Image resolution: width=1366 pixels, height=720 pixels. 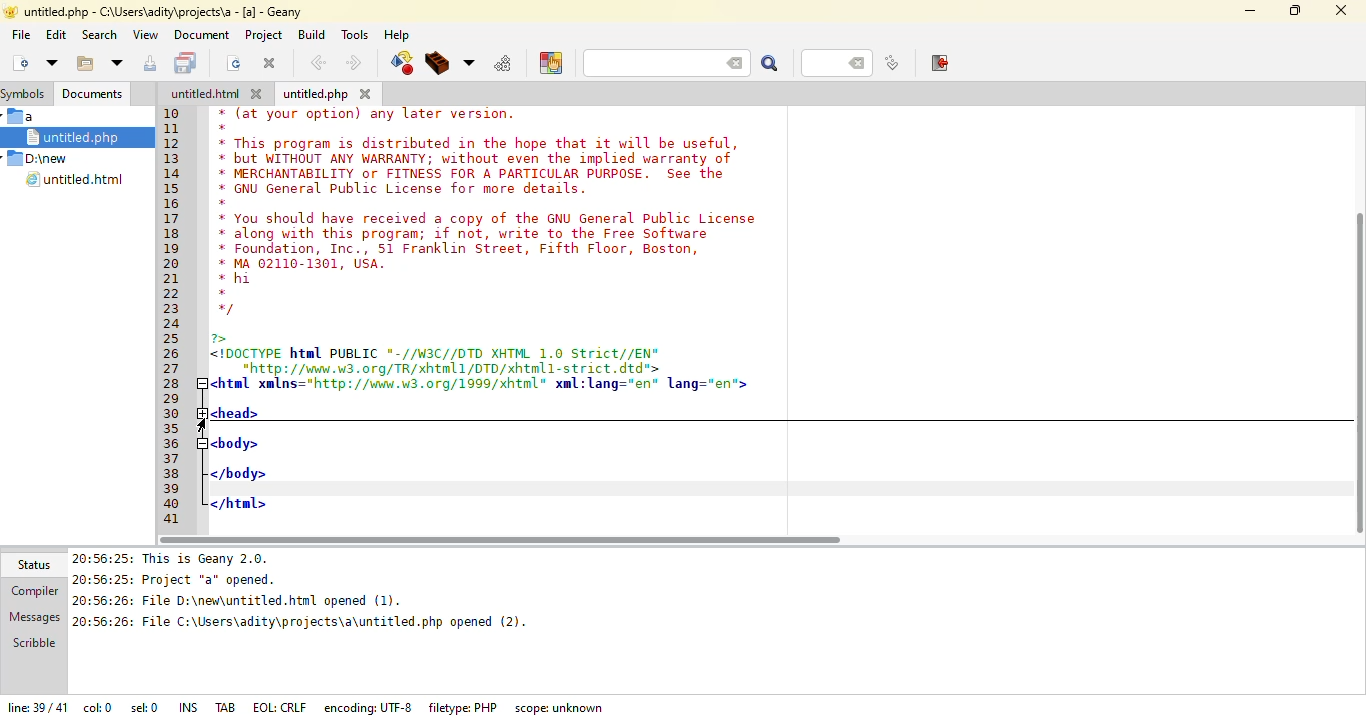 What do you see at coordinates (56, 34) in the screenshot?
I see `edit` at bounding box center [56, 34].